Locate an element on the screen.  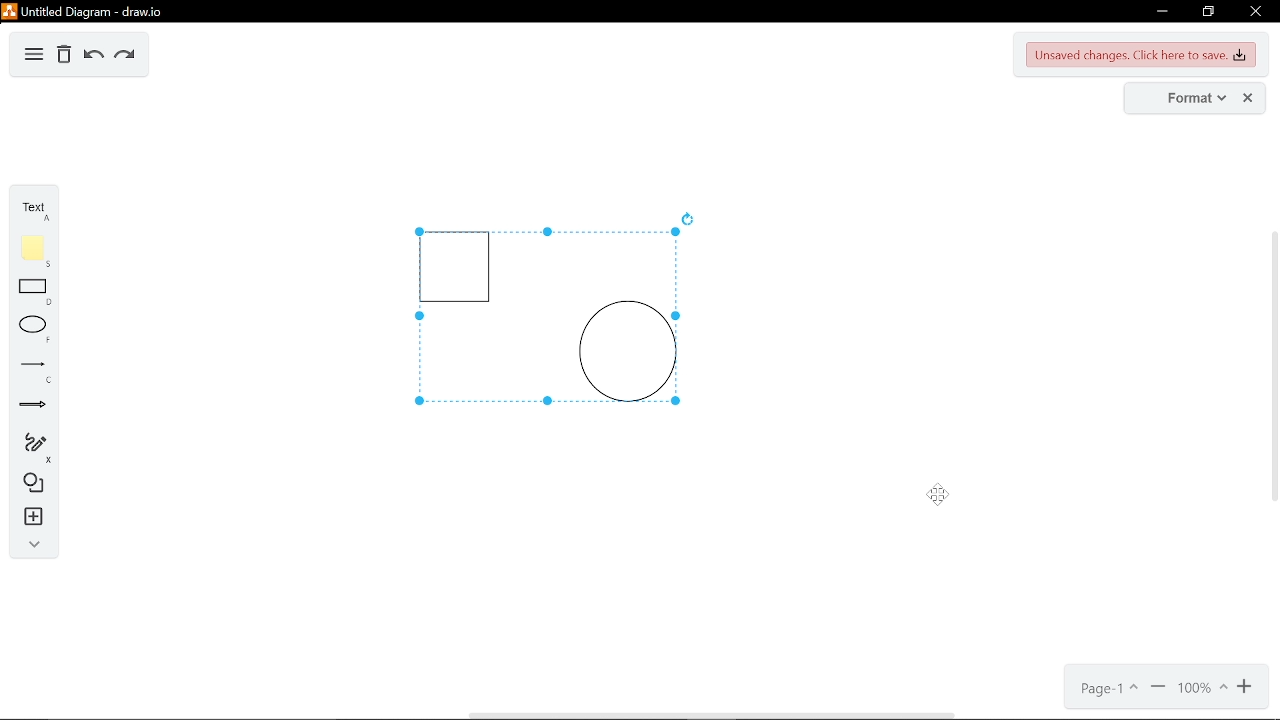
zoom out is located at coordinates (1246, 688).